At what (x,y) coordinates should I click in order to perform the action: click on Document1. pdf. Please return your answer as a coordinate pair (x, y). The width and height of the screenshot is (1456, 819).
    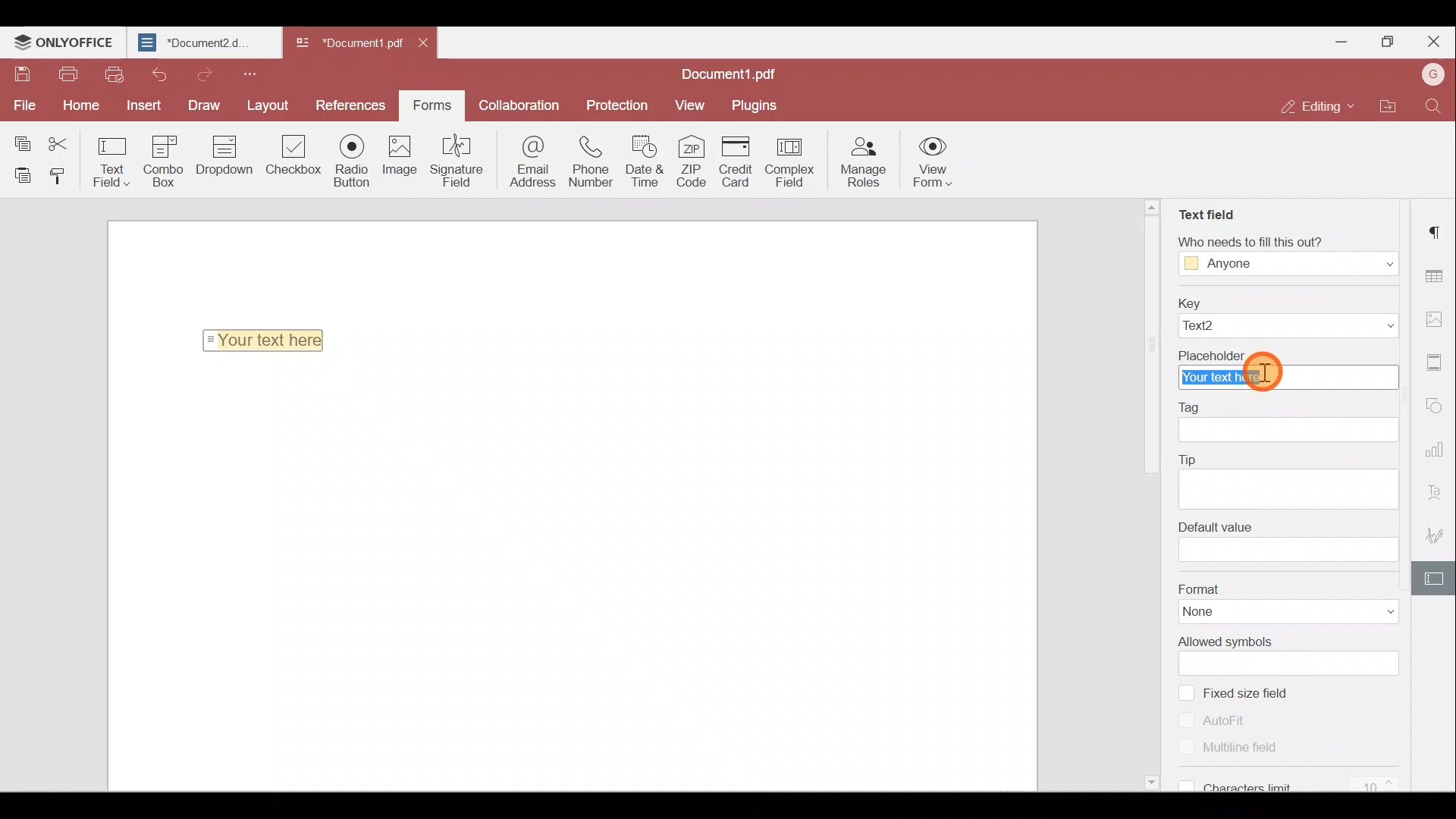
    Looking at the image, I should click on (346, 42).